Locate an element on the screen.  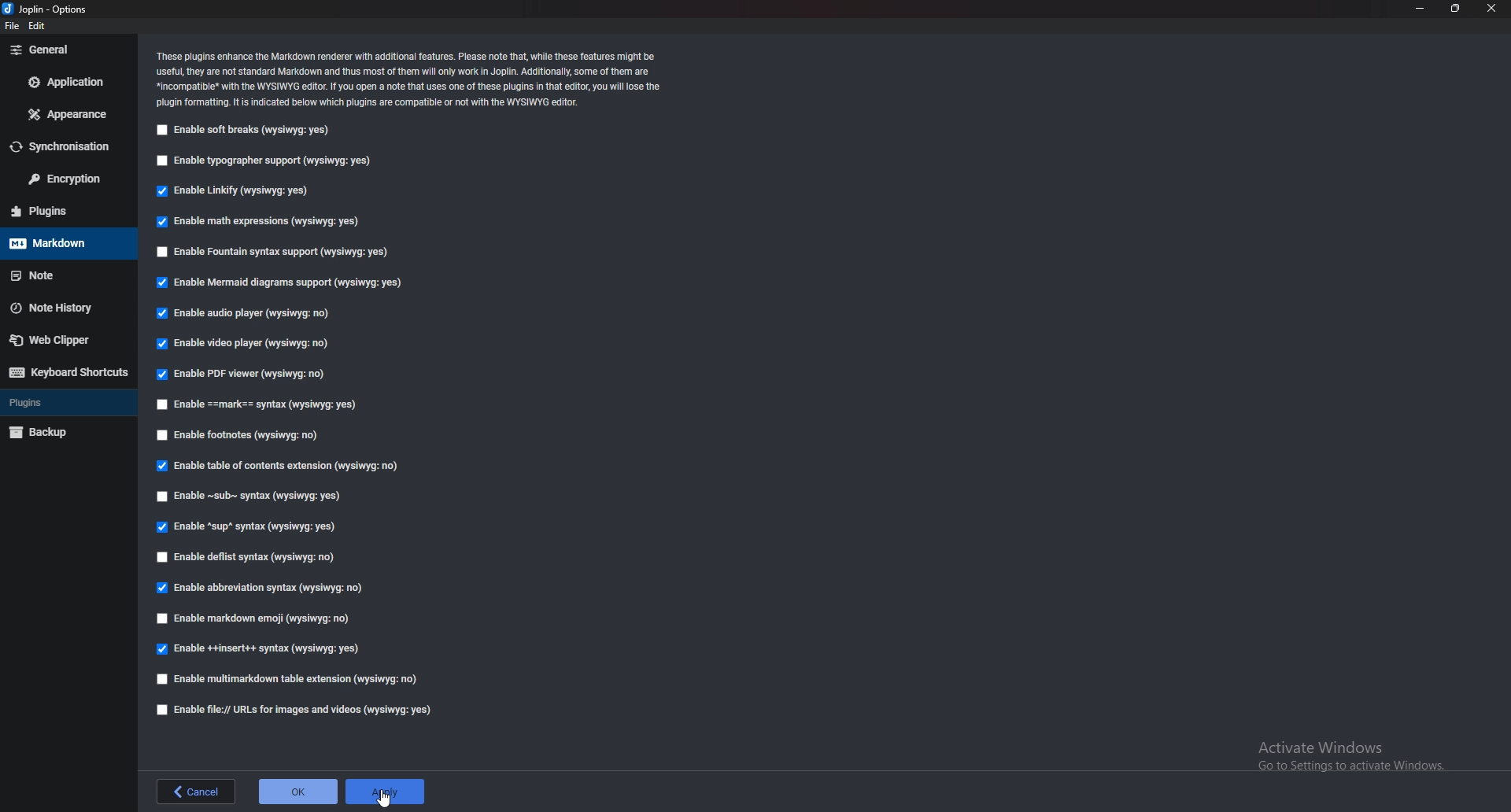
Markdown is located at coordinates (63, 242).